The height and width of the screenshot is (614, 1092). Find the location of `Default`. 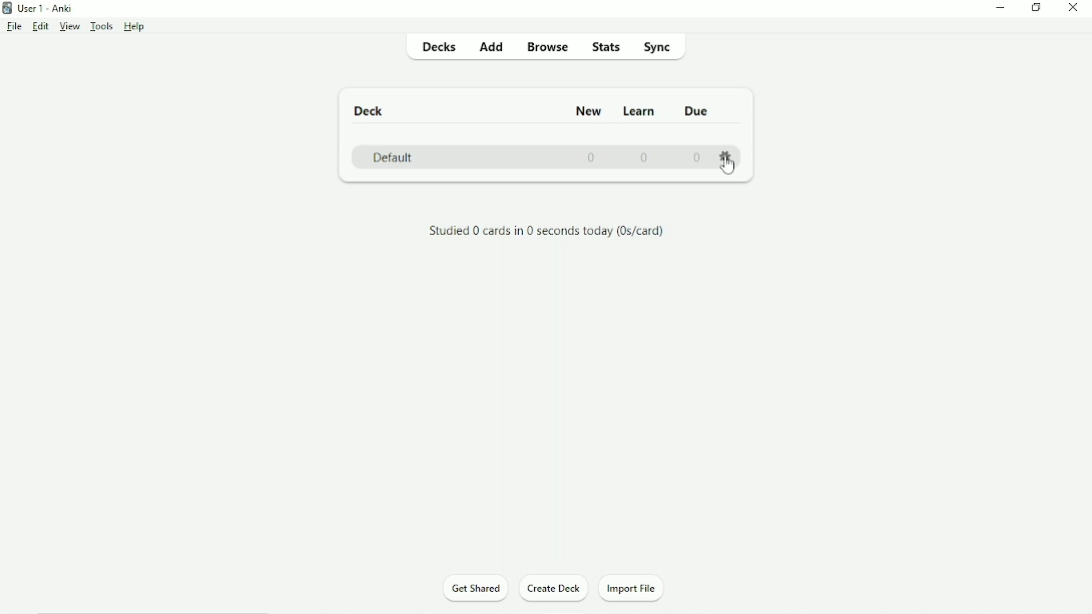

Default is located at coordinates (393, 158).